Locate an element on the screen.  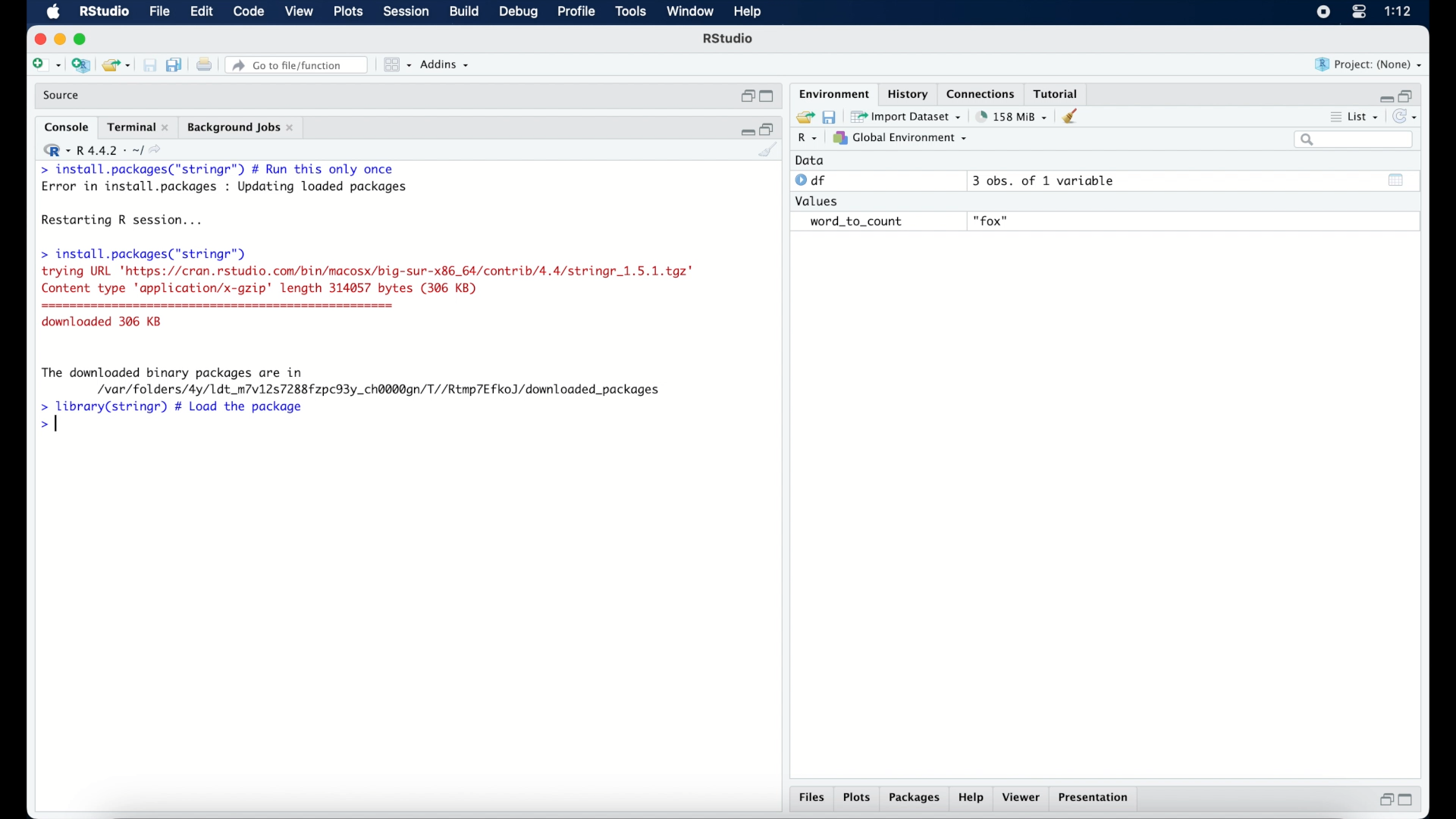
view in pane is located at coordinates (396, 65).